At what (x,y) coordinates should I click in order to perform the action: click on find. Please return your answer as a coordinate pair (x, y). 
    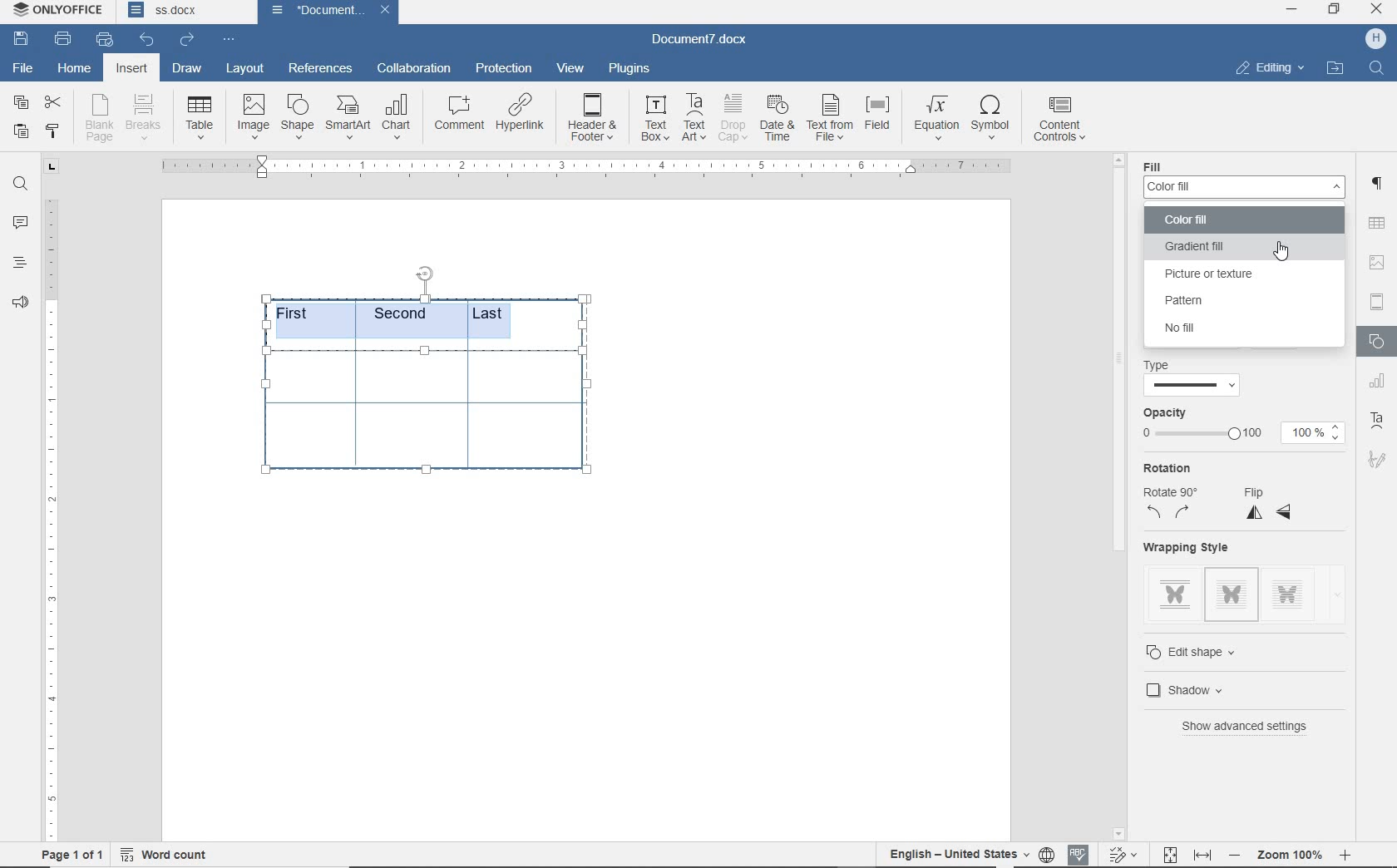
    Looking at the image, I should click on (20, 184).